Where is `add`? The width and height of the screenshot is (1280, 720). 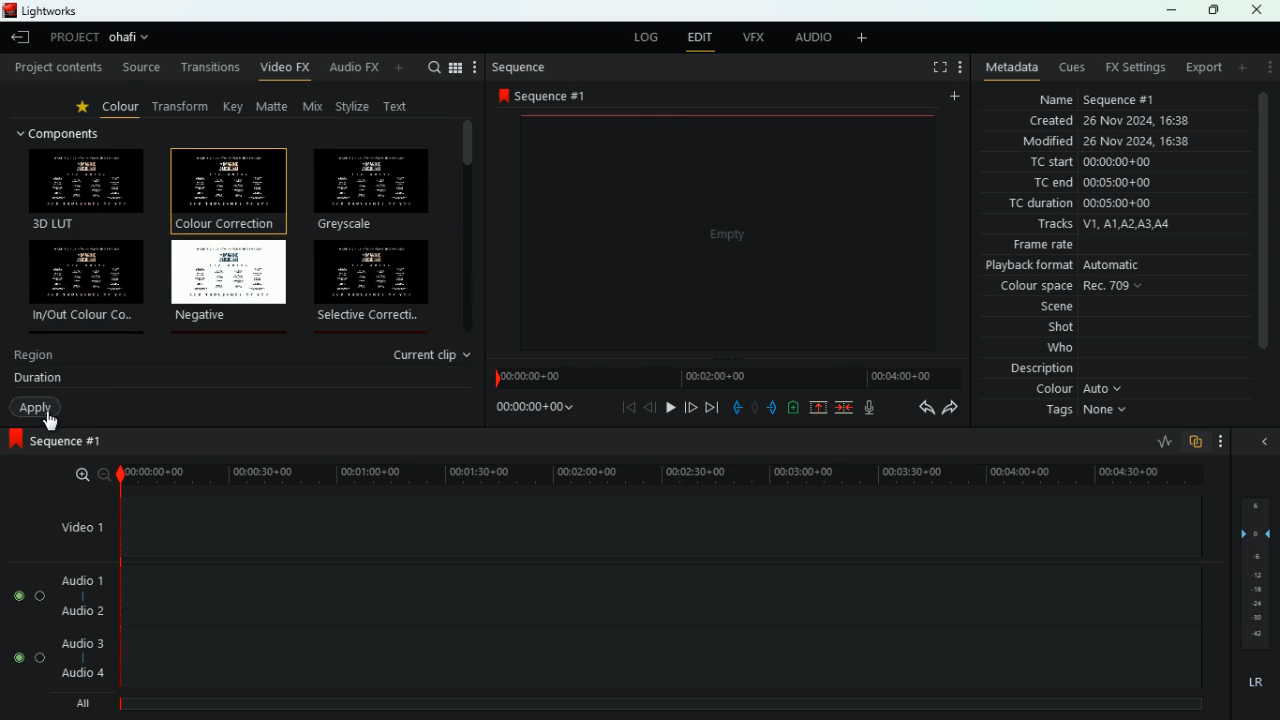
add is located at coordinates (792, 407).